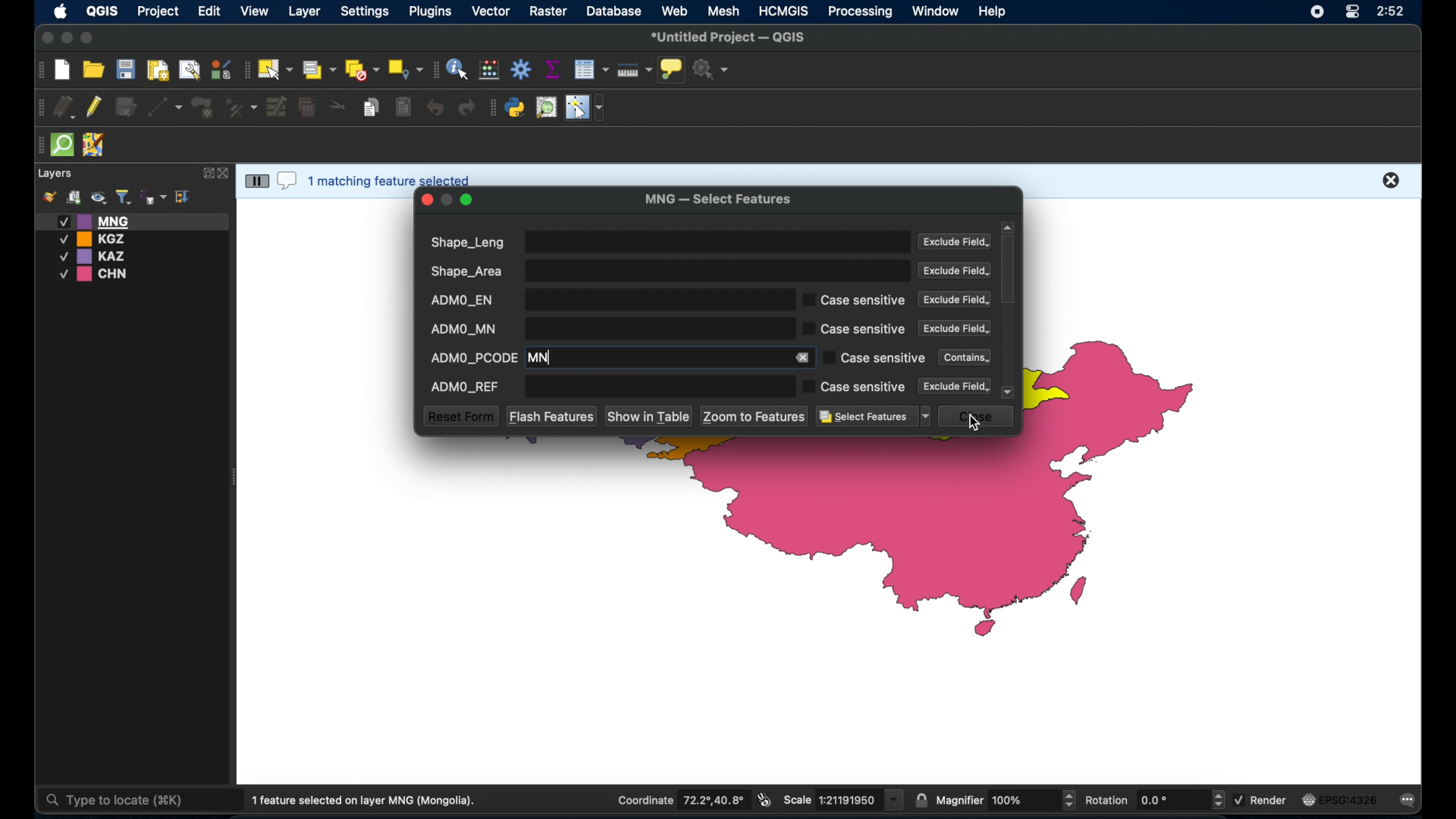  Describe the element at coordinates (1006, 800) in the screenshot. I see `magnifier 100%` at that location.